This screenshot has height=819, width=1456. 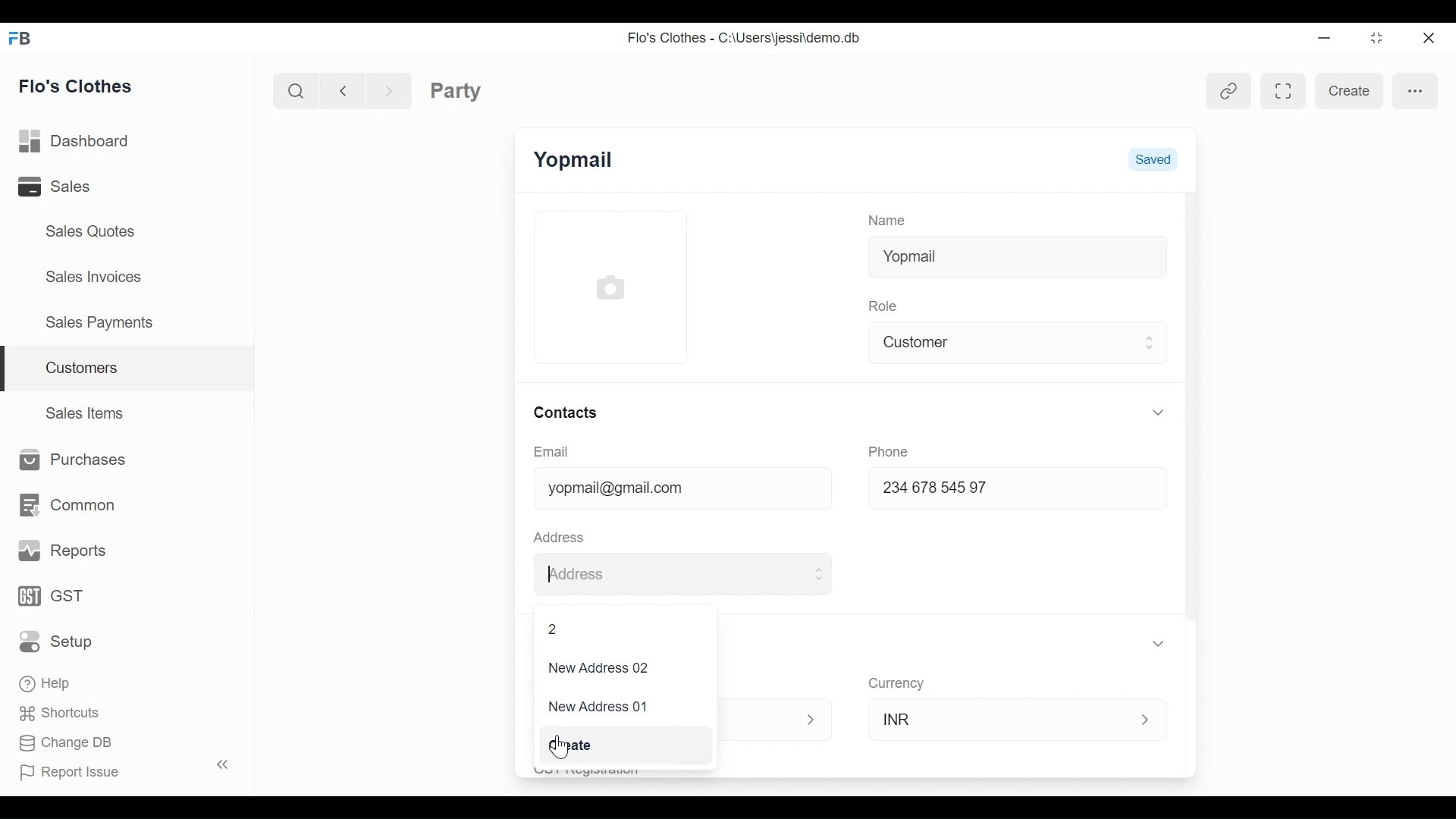 I want to click on more, so click(x=1415, y=91).